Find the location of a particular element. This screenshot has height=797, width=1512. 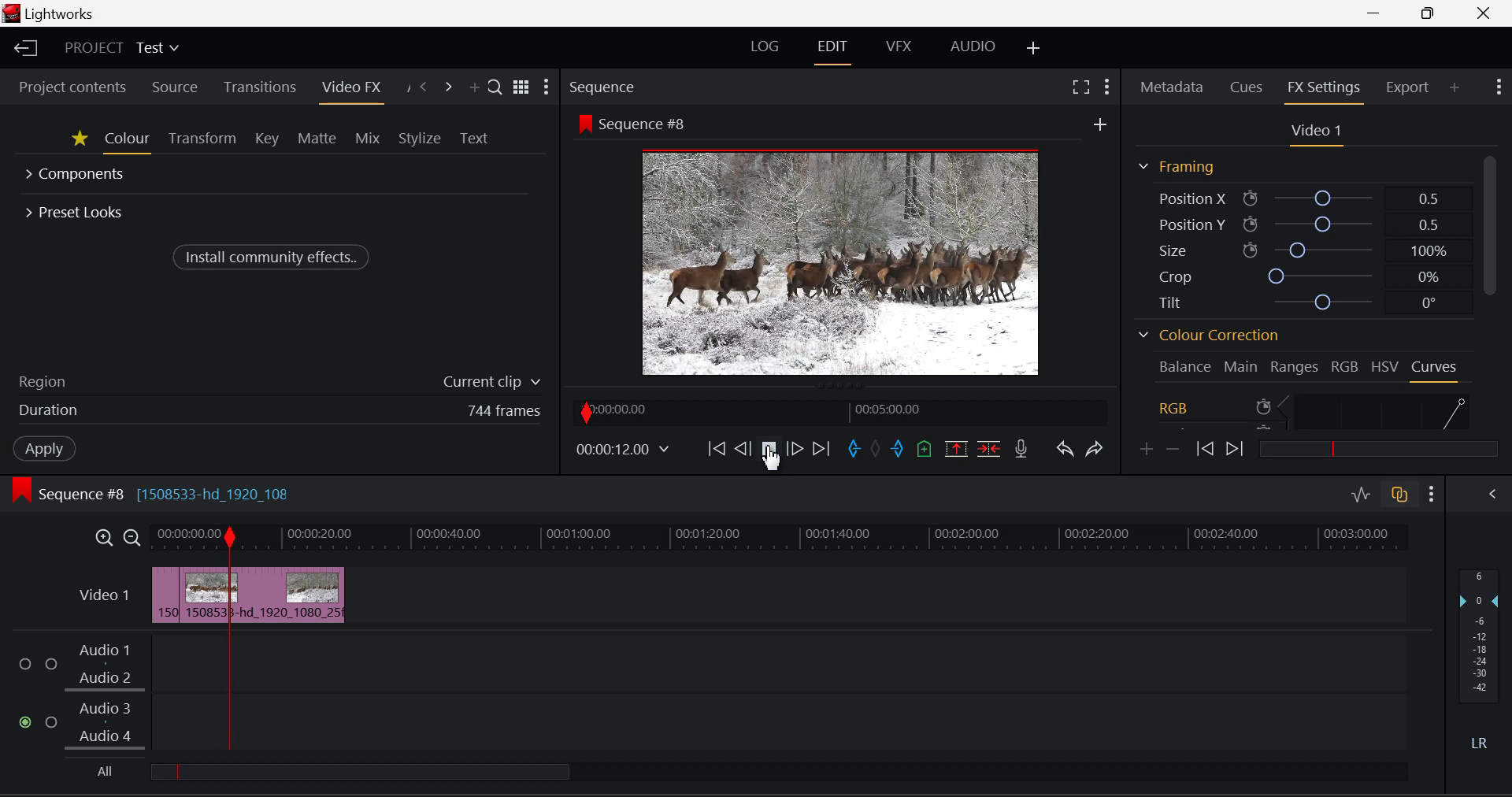

Undo is located at coordinates (1065, 451).